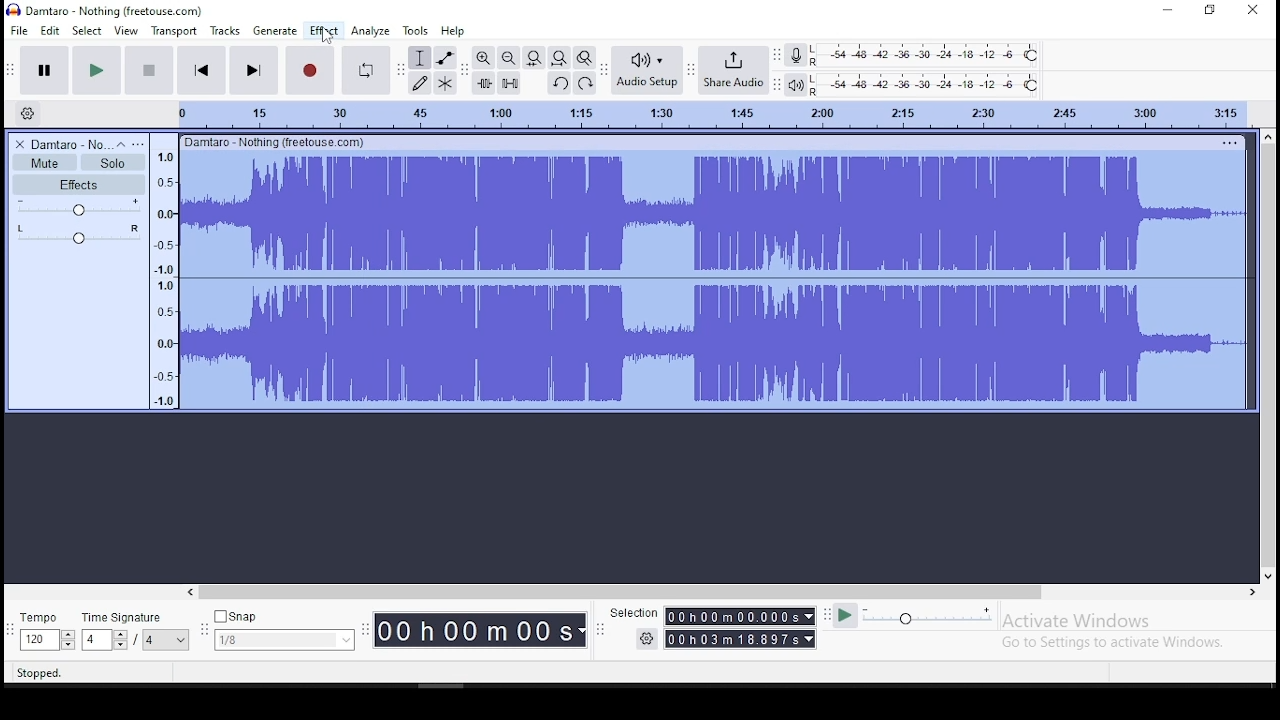 This screenshot has height=720, width=1280. What do you see at coordinates (604, 69) in the screenshot?
I see `` at bounding box center [604, 69].